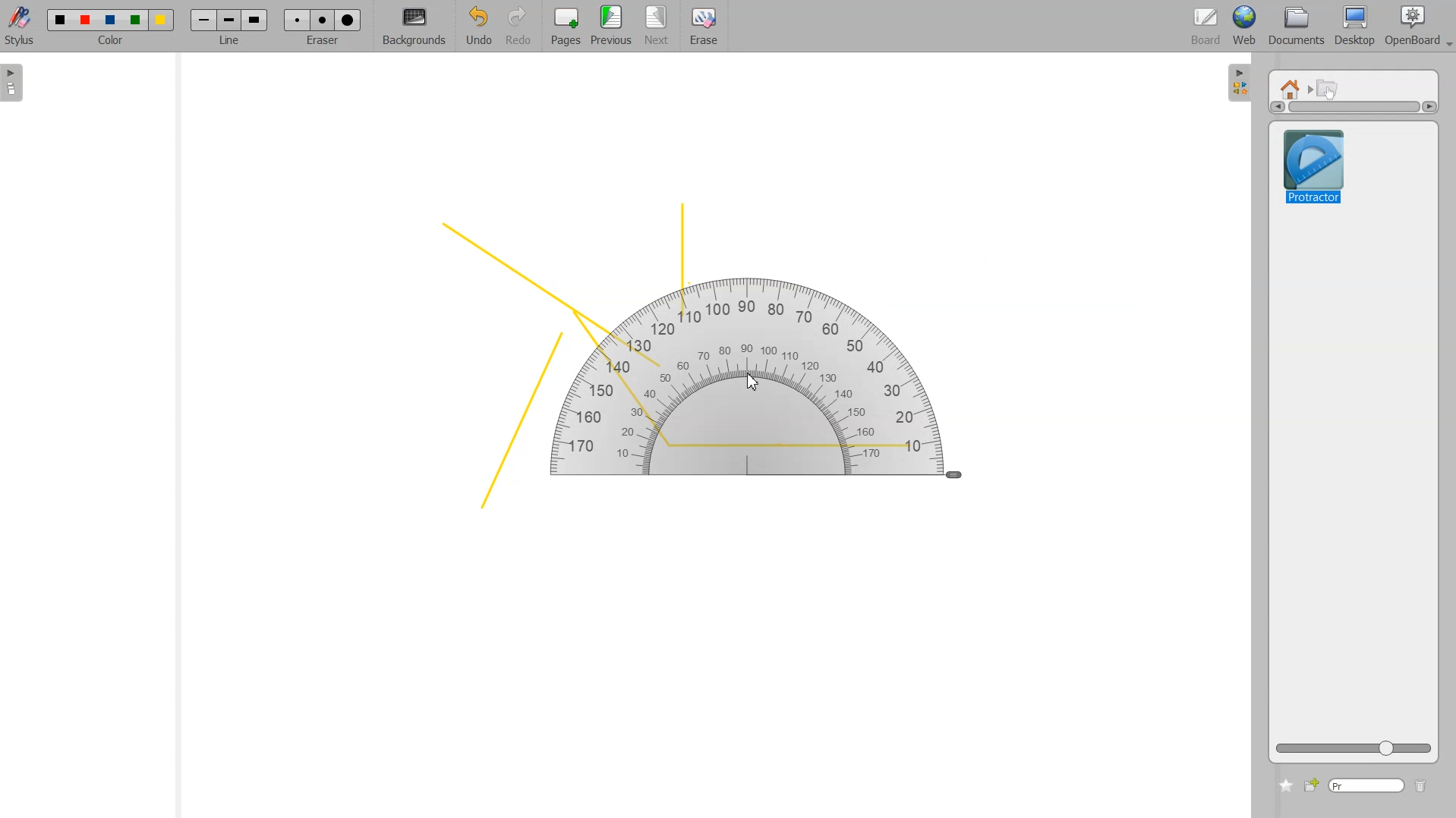  I want to click on eraser, so click(320, 45).